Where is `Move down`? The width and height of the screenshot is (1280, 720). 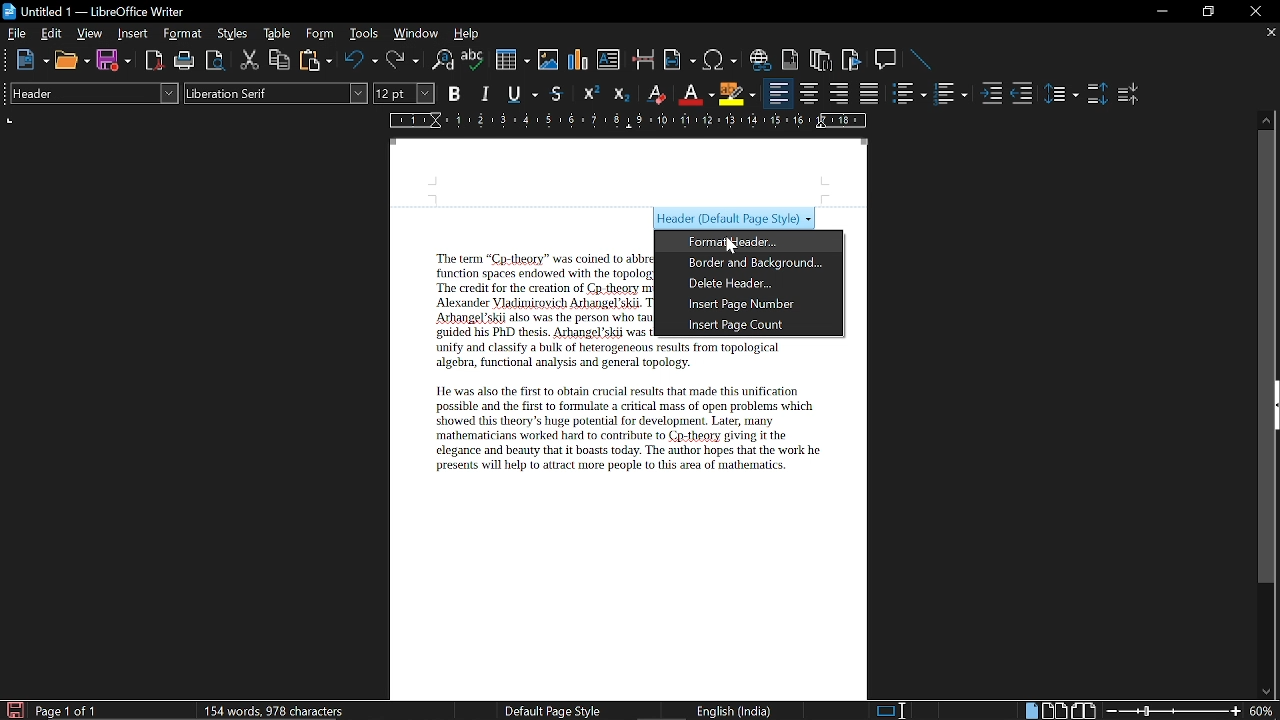
Move down is located at coordinates (1265, 692).